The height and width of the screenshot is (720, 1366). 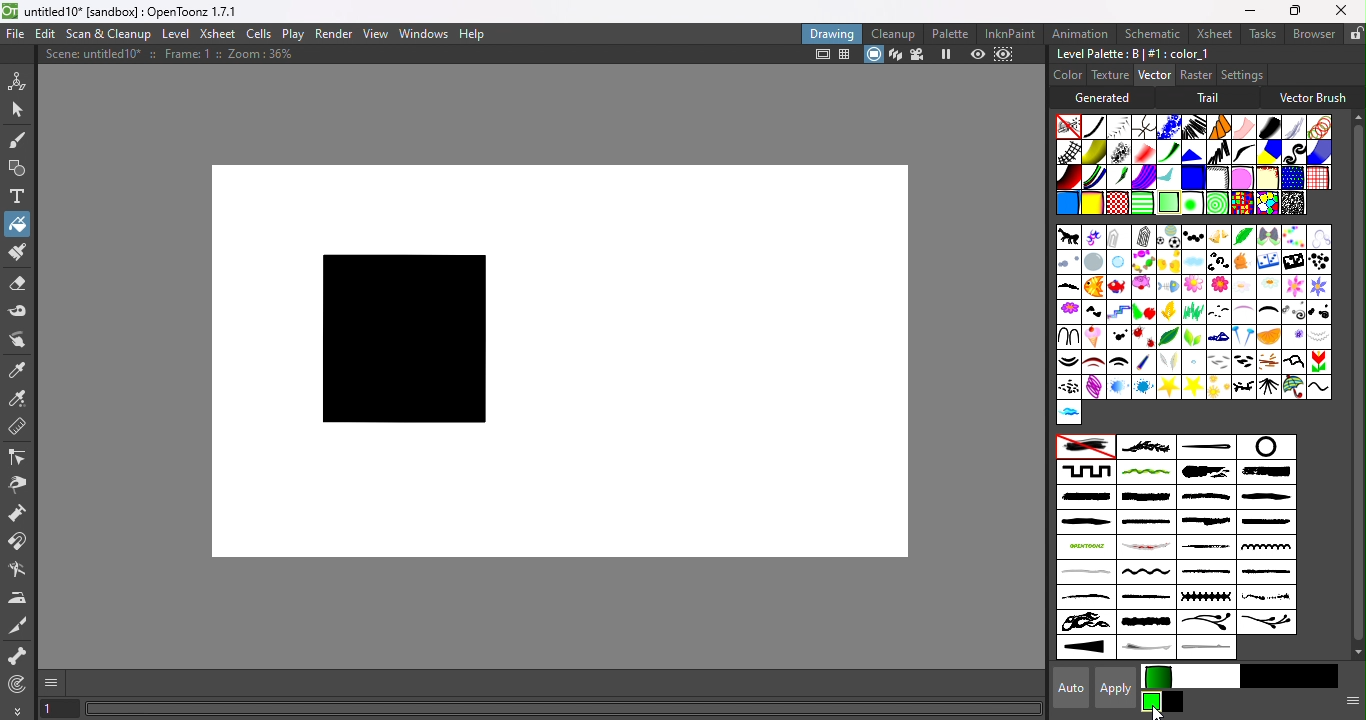 What do you see at coordinates (1158, 710) in the screenshot?
I see `cursor` at bounding box center [1158, 710].